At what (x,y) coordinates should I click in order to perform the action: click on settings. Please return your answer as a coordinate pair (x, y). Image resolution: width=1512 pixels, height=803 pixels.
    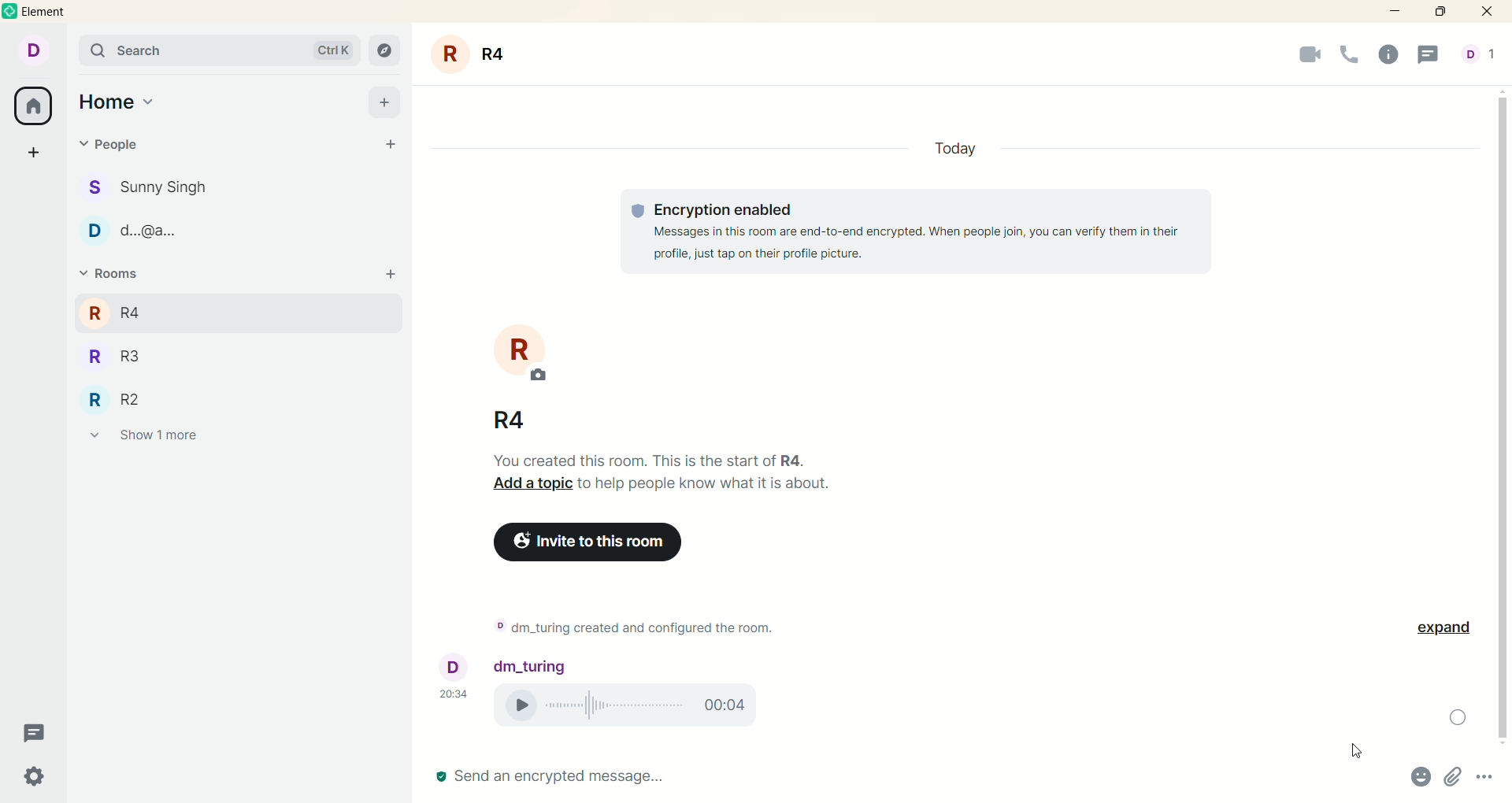
    Looking at the image, I should click on (35, 777).